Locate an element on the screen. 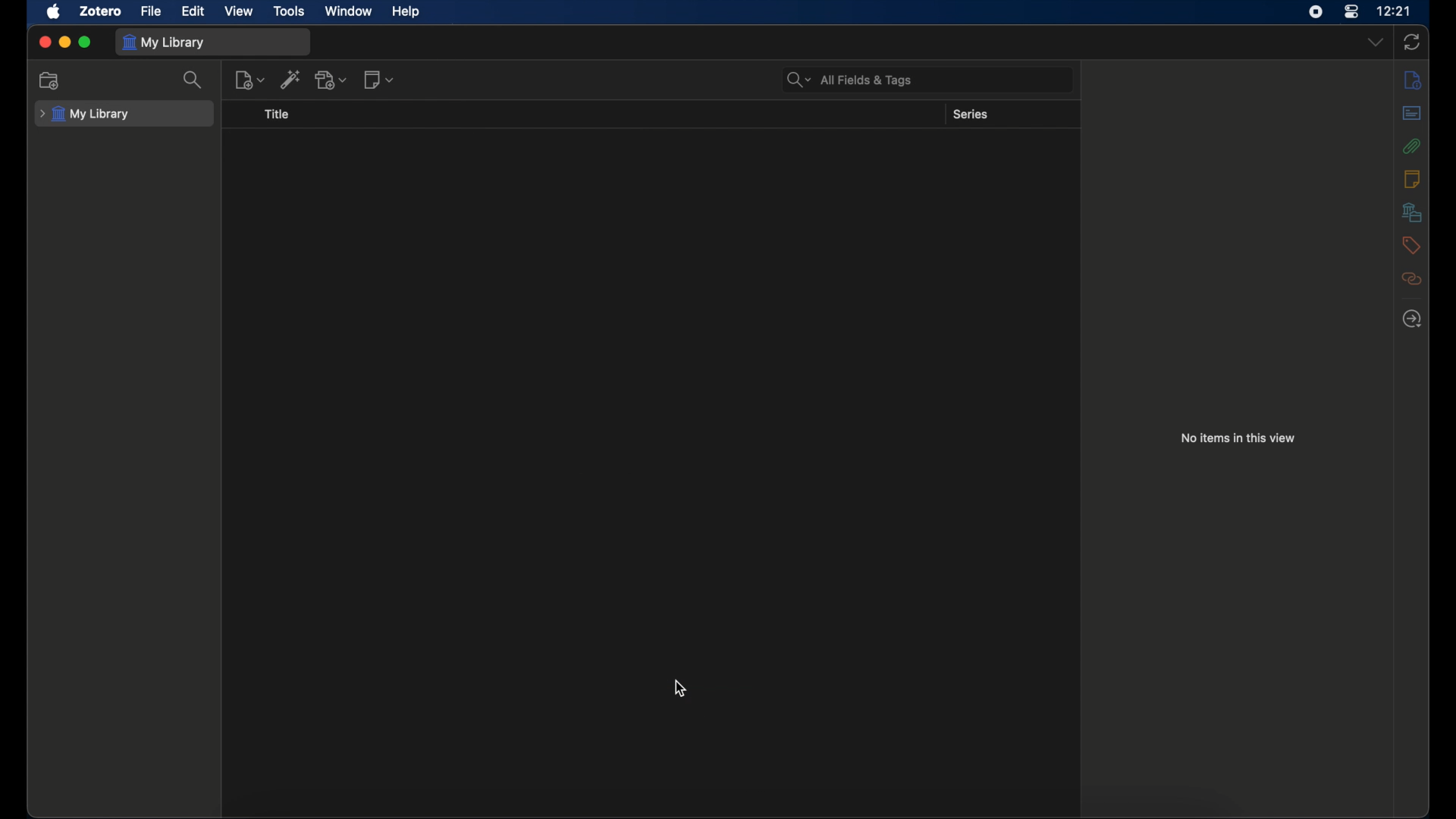 The image size is (1456, 819). my library is located at coordinates (83, 115).